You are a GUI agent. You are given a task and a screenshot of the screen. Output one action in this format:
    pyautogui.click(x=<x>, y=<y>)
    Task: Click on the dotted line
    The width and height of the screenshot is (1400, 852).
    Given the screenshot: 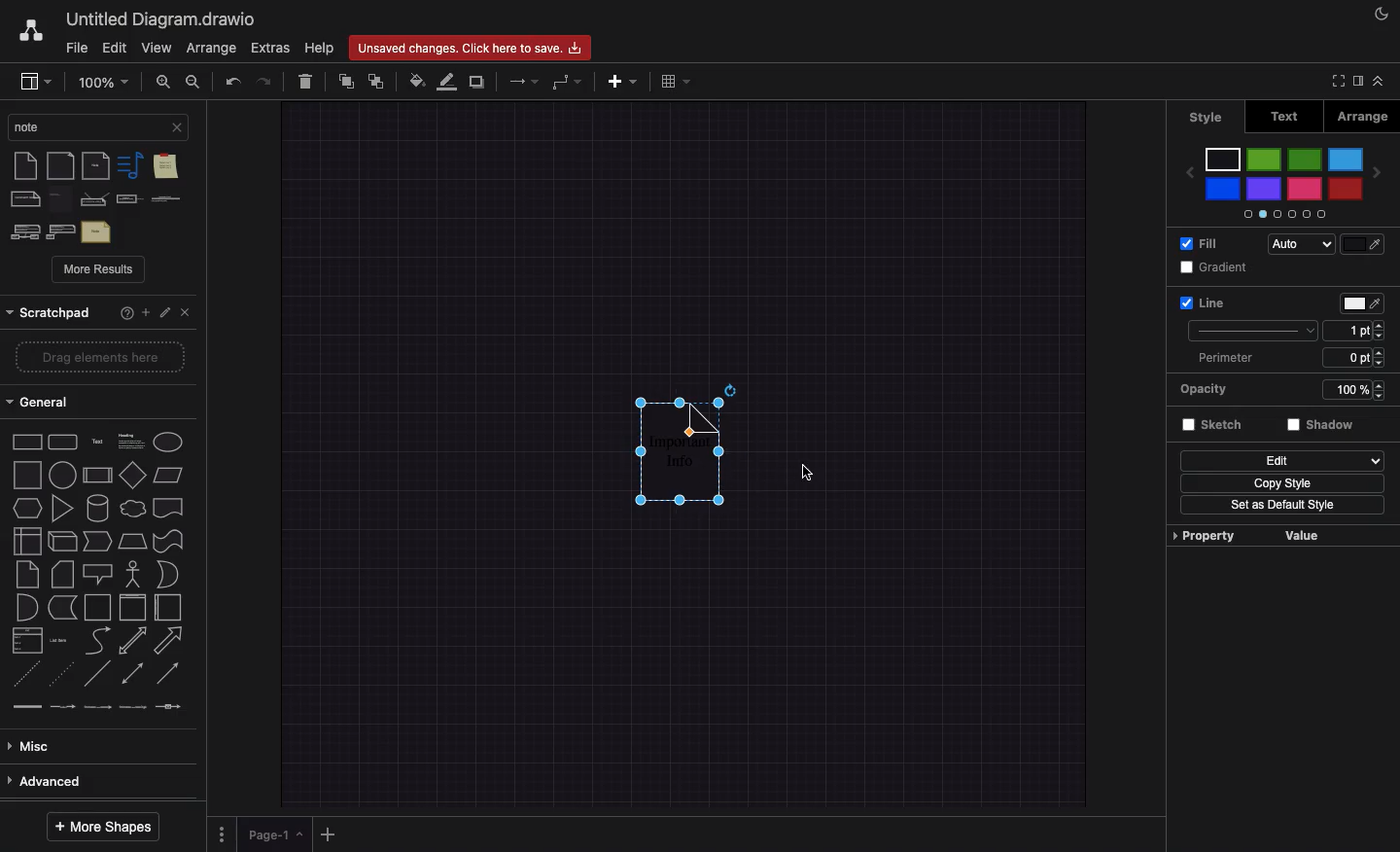 What is the action you would take?
    pyautogui.click(x=62, y=677)
    